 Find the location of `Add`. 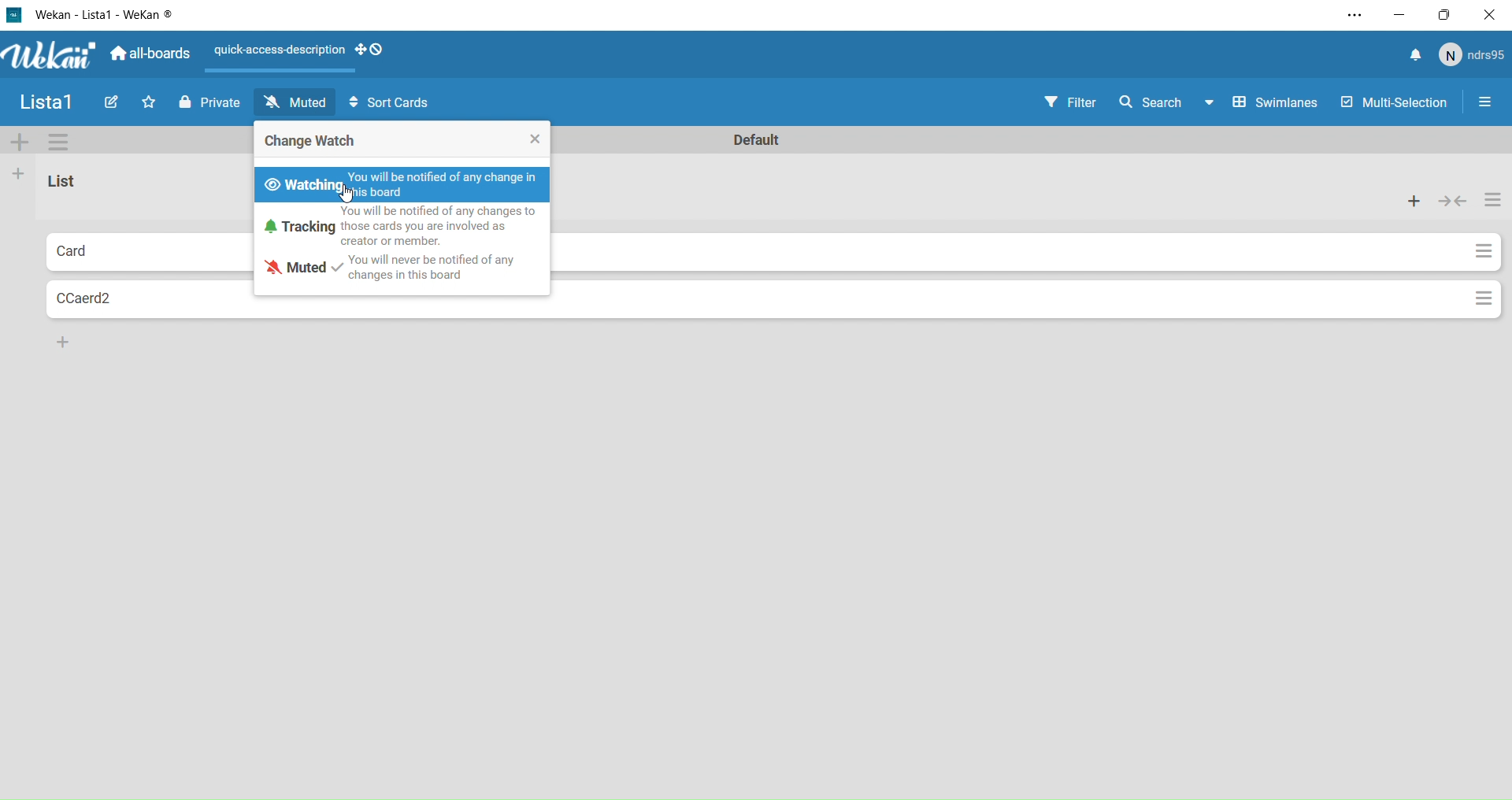

Add is located at coordinates (1414, 201).